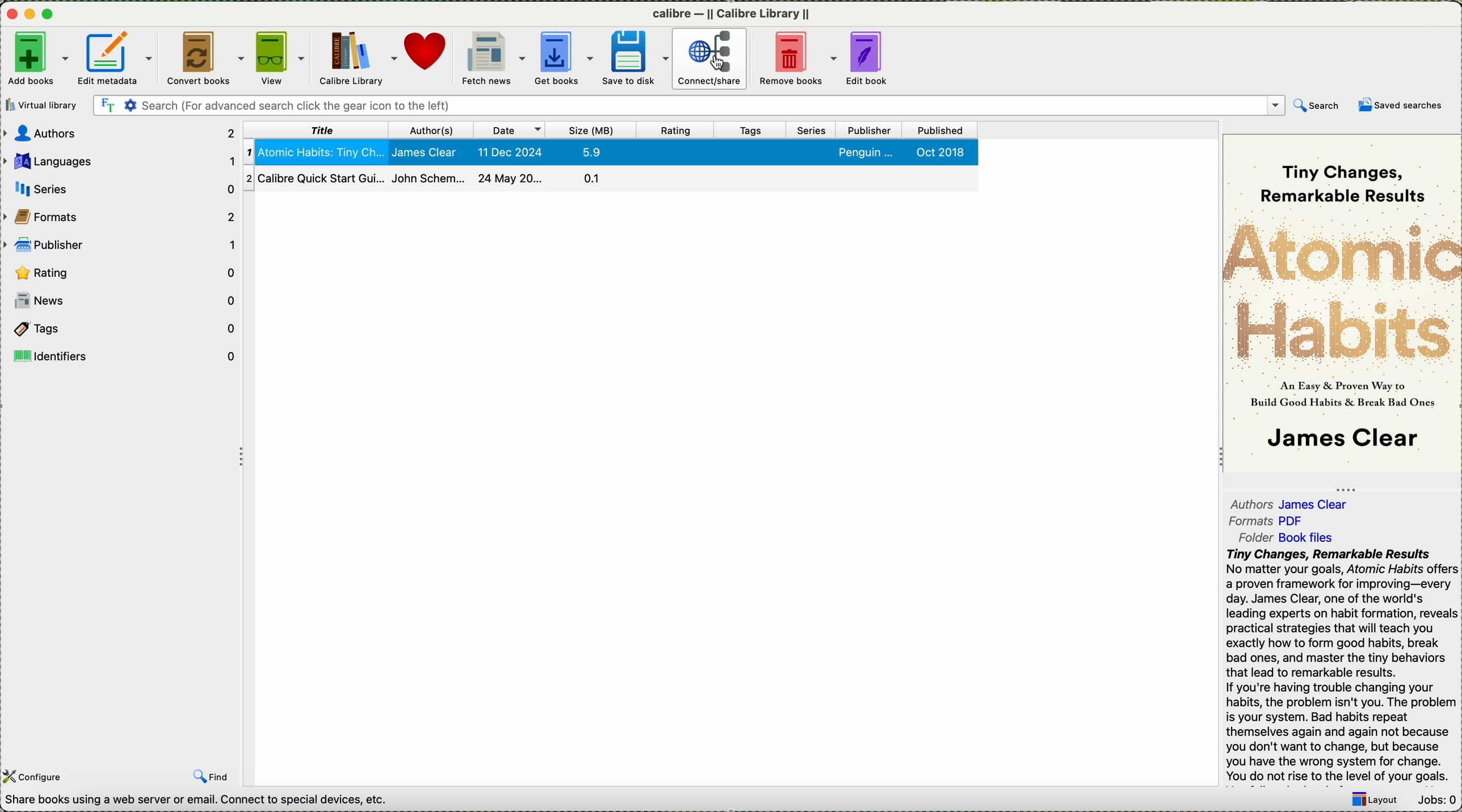  I want to click on remove books, so click(797, 59).